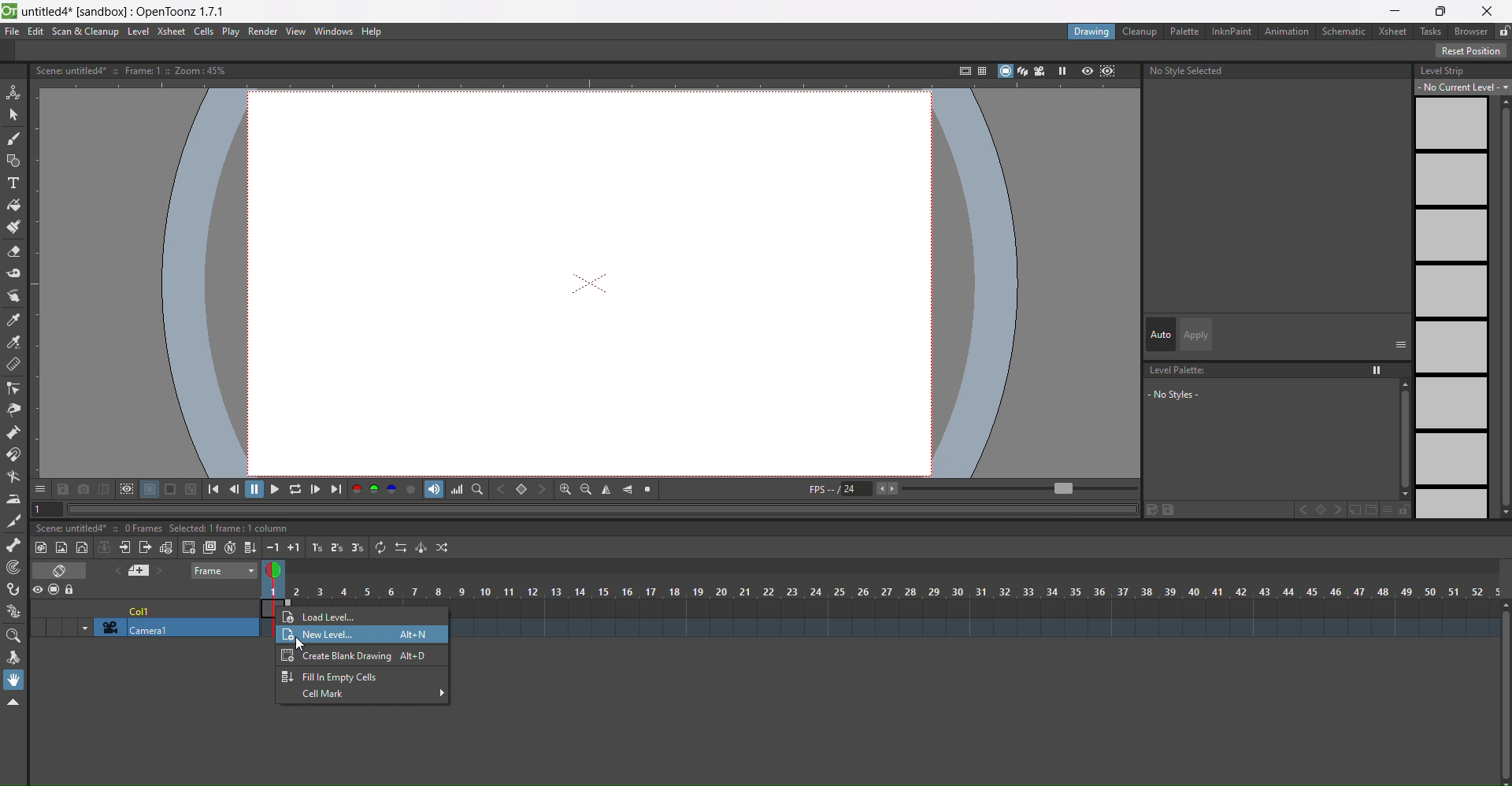 This screenshot has height=786, width=1512. What do you see at coordinates (972, 490) in the screenshot?
I see `fps` at bounding box center [972, 490].